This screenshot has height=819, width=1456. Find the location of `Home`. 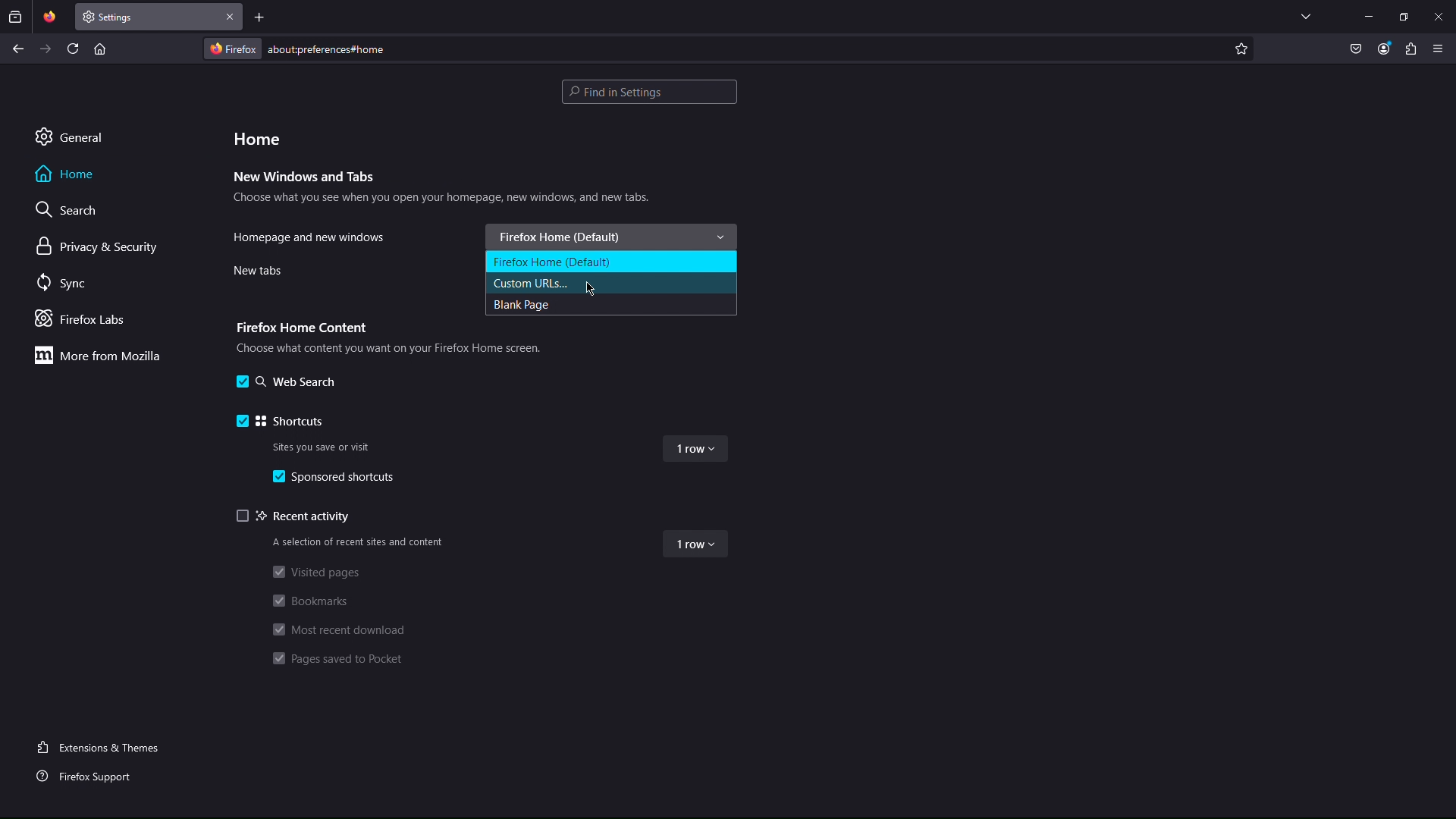

Home is located at coordinates (257, 137).